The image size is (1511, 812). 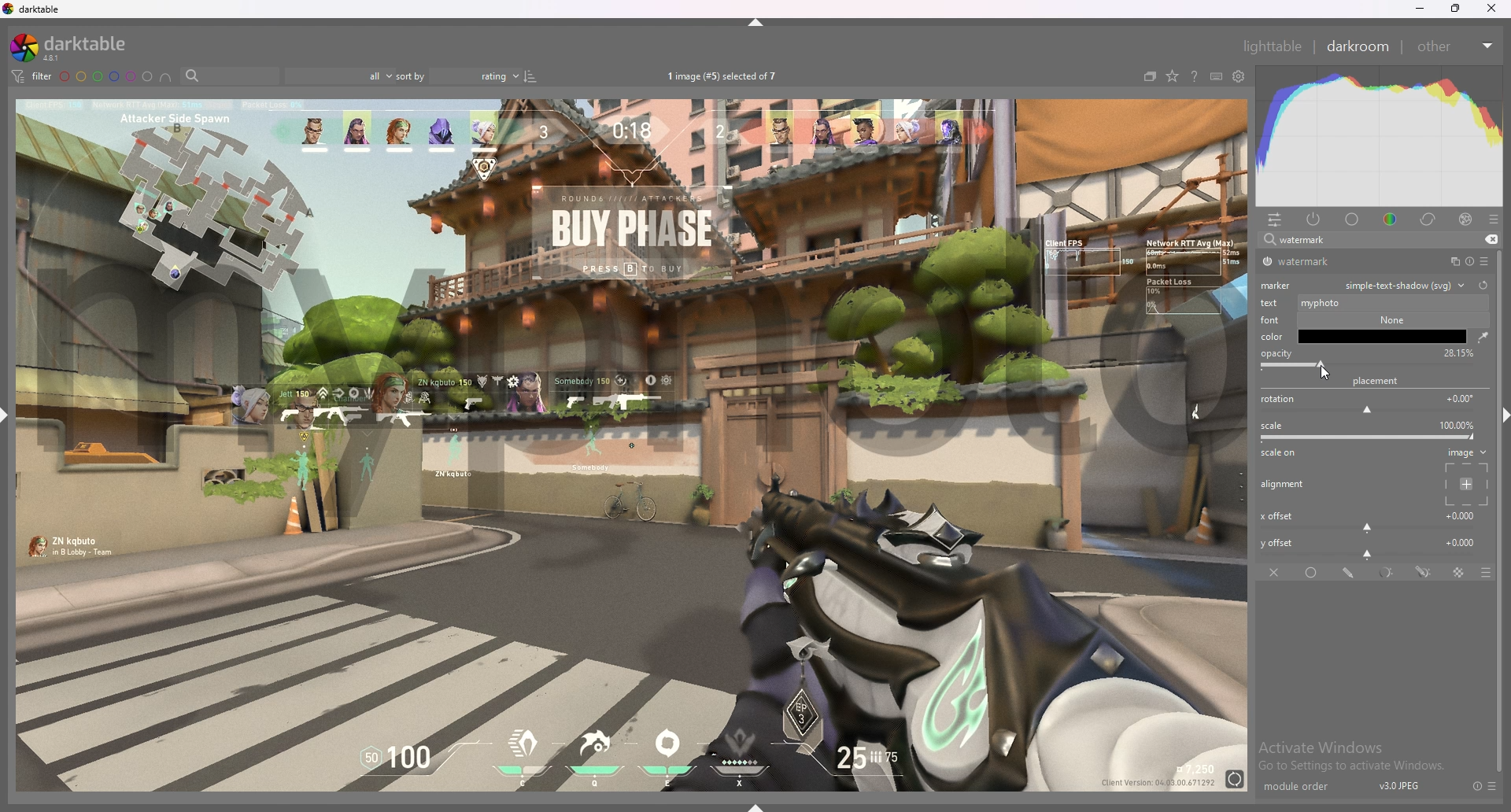 What do you see at coordinates (1454, 46) in the screenshot?
I see `other` at bounding box center [1454, 46].